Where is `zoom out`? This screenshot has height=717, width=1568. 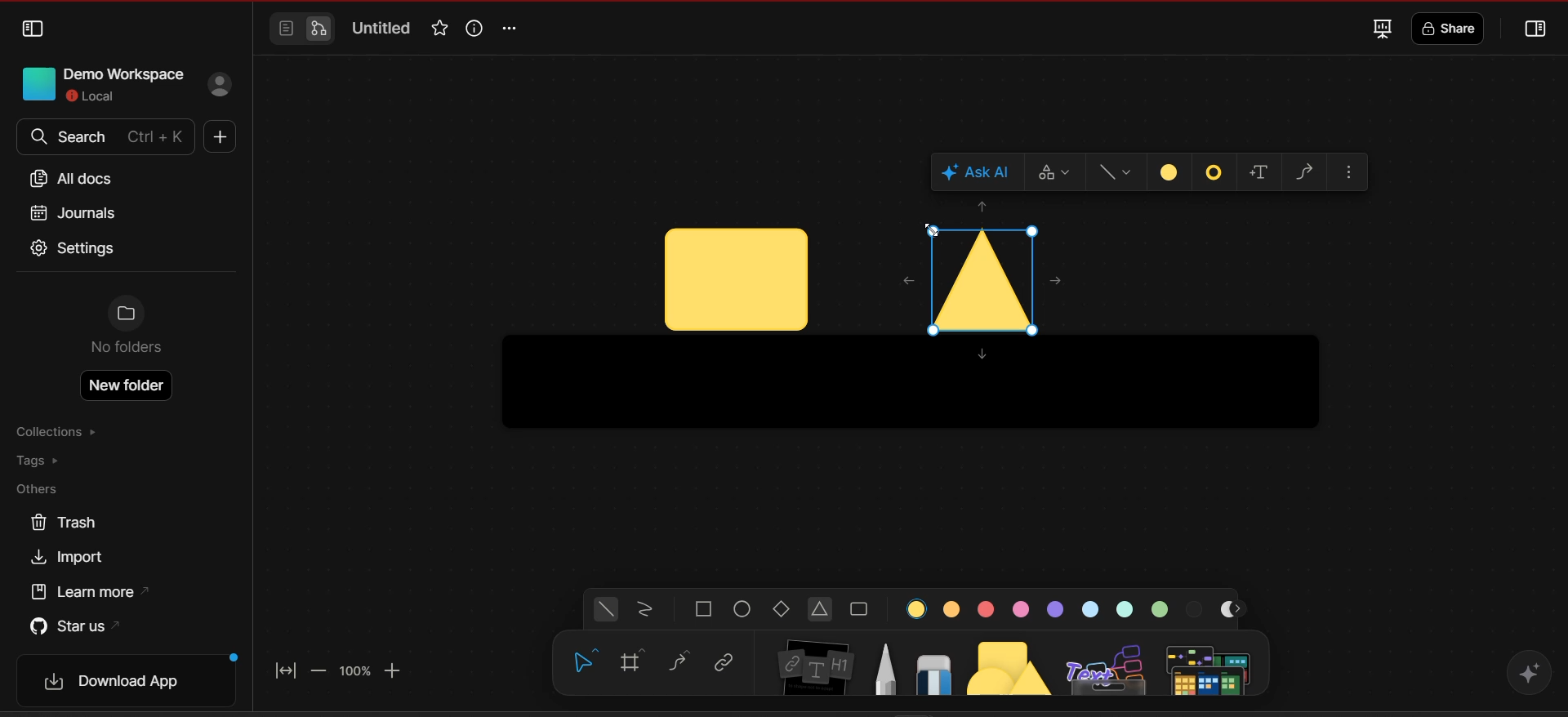 zoom out is located at coordinates (319, 670).